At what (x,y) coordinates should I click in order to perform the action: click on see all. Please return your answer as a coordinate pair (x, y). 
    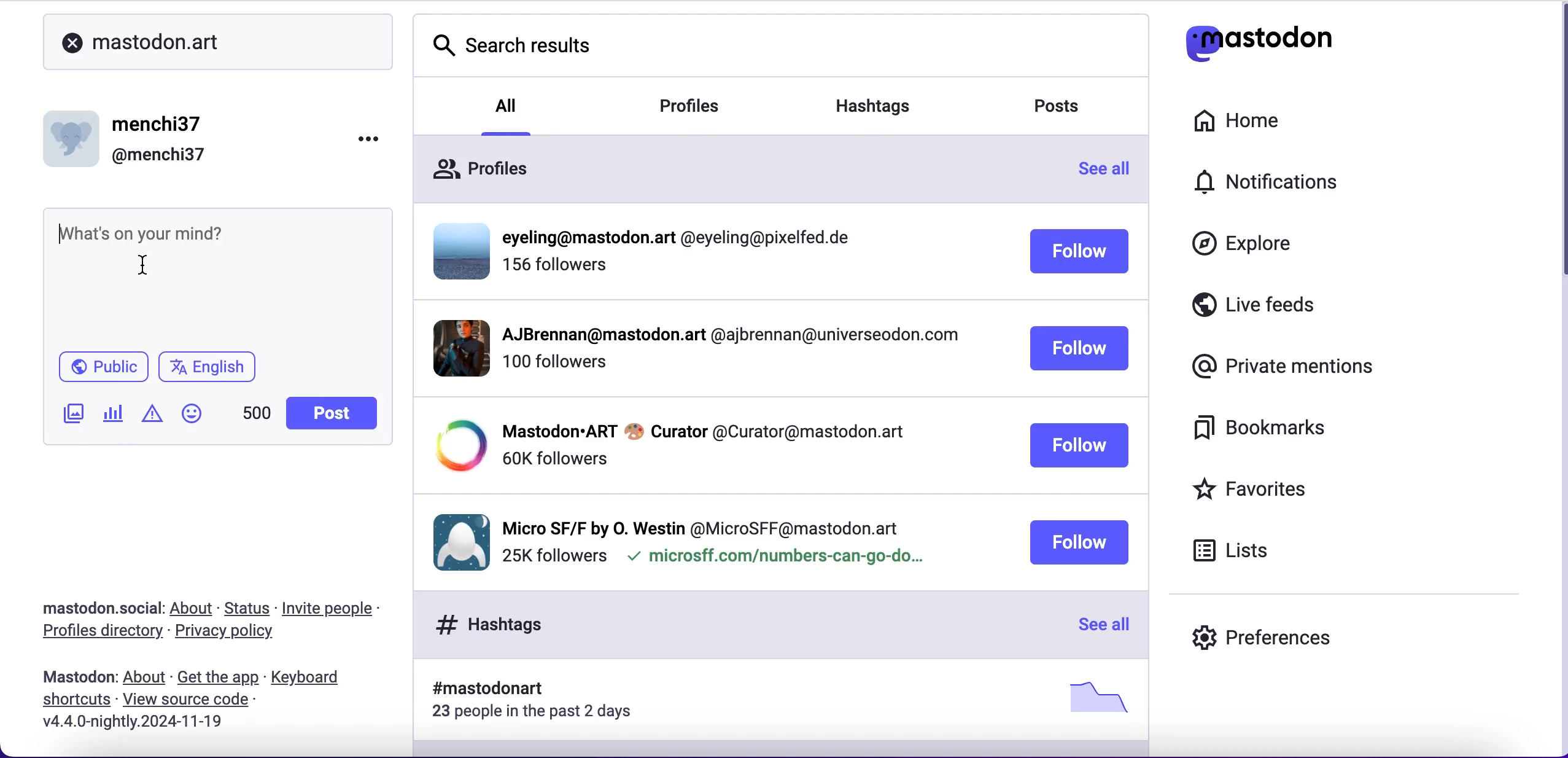
    Looking at the image, I should click on (1111, 173).